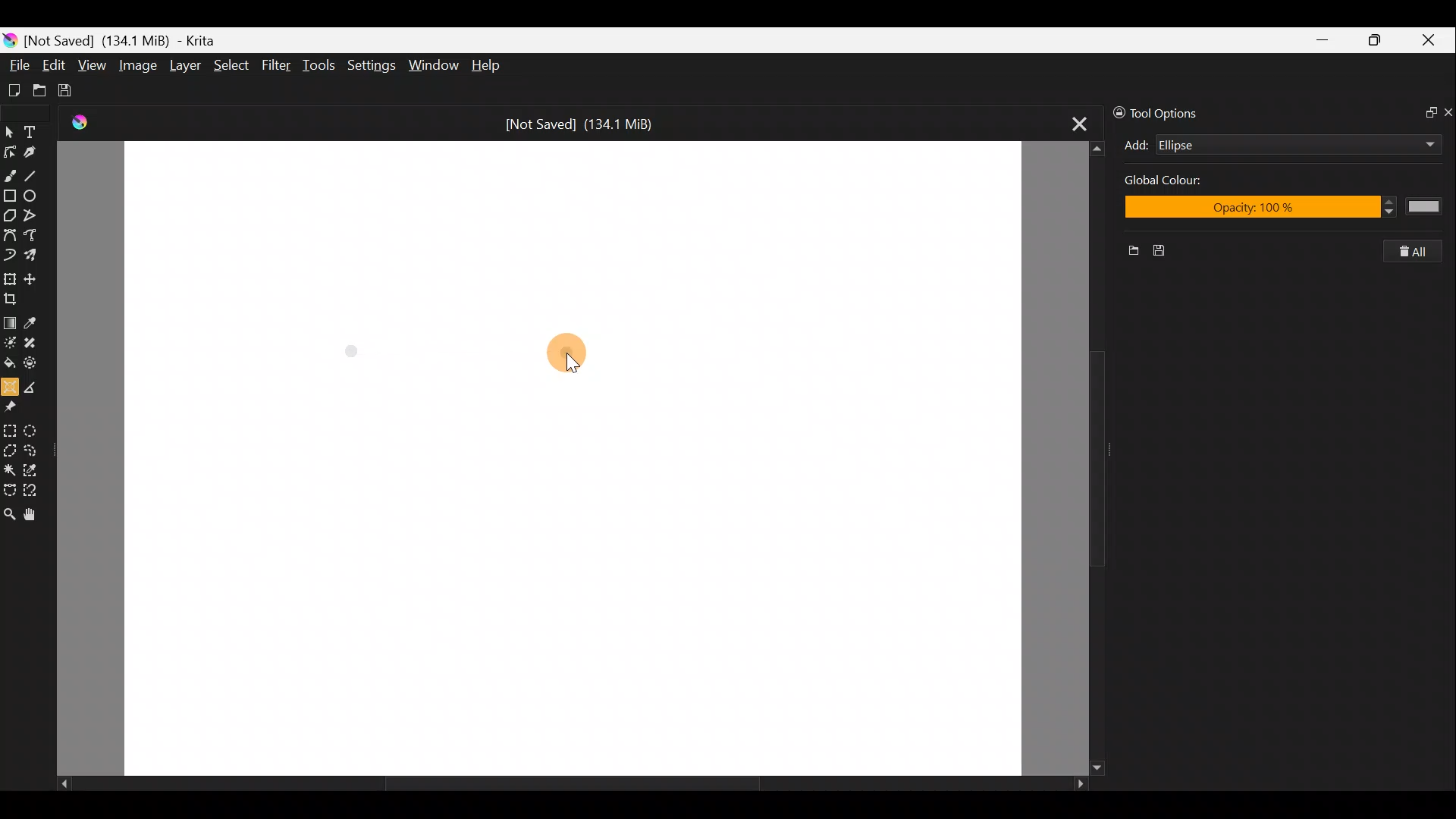 The height and width of the screenshot is (819, 1456). I want to click on Canvas, so click(573, 459).